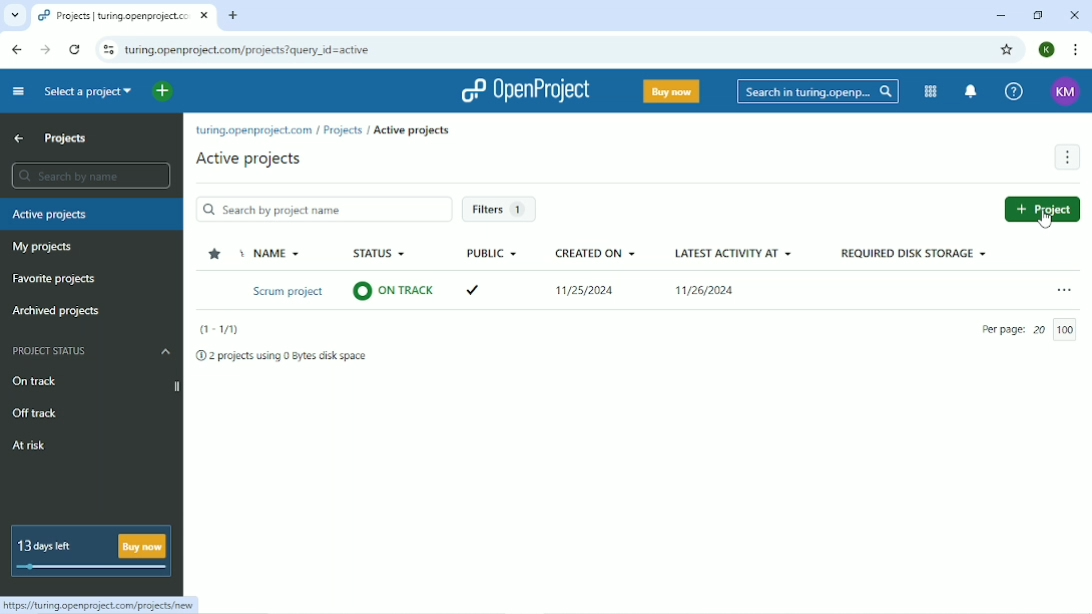 The image size is (1092, 614). Describe the element at coordinates (734, 251) in the screenshot. I see `Latest activity at` at that location.